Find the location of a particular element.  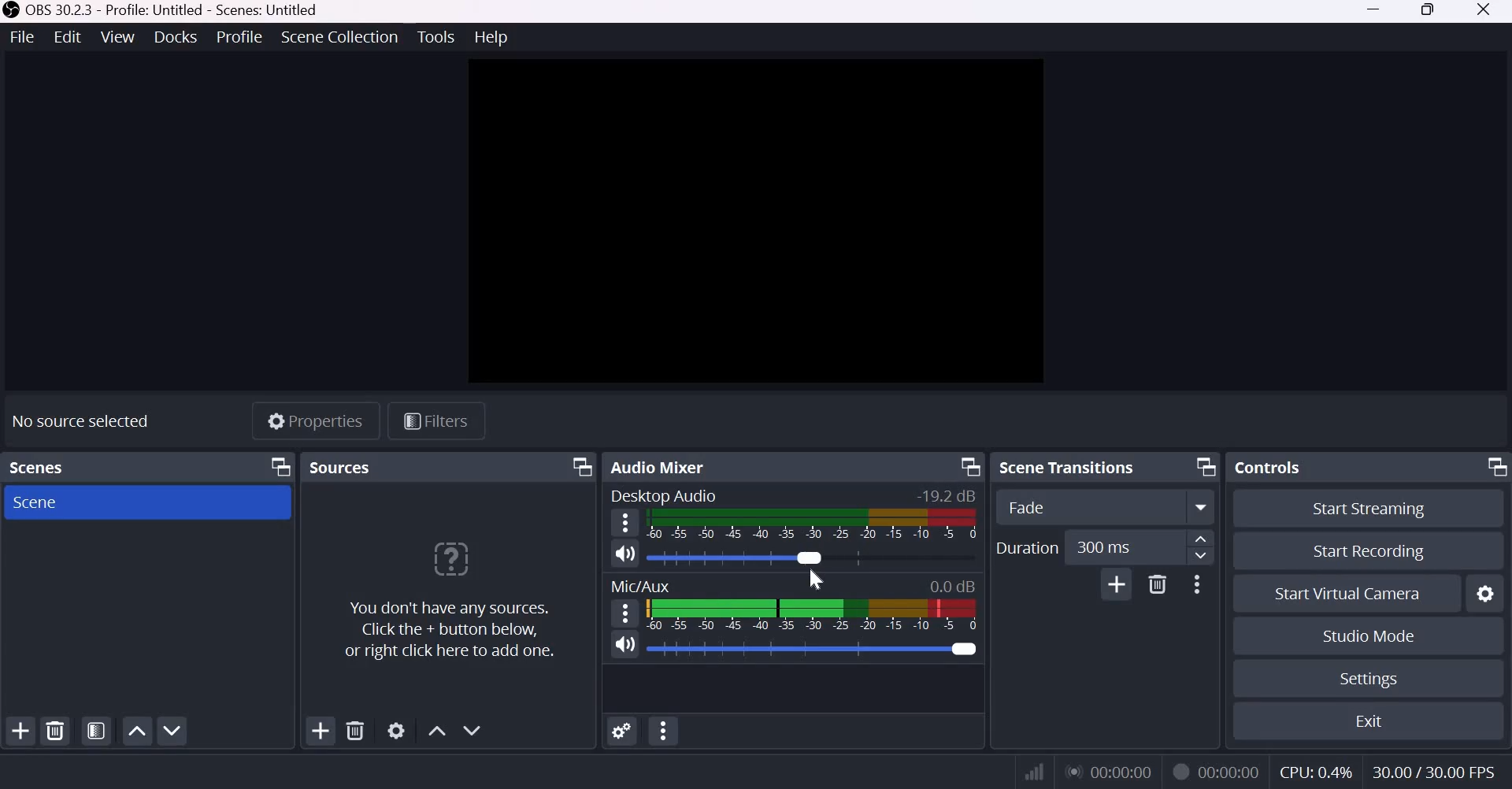

Dock Options icon is located at coordinates (577, 467).